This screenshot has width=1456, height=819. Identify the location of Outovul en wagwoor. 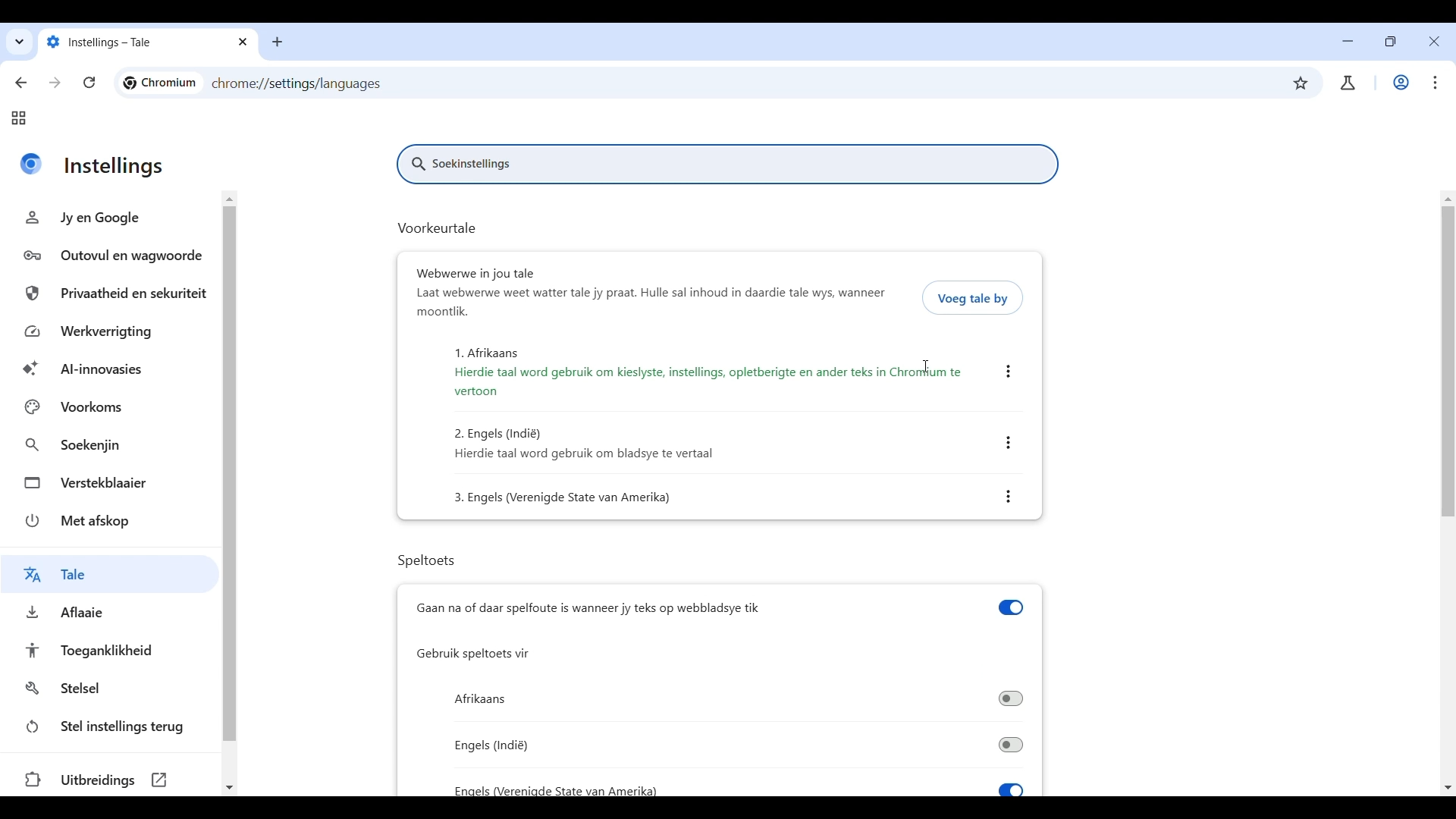
(117, 255).